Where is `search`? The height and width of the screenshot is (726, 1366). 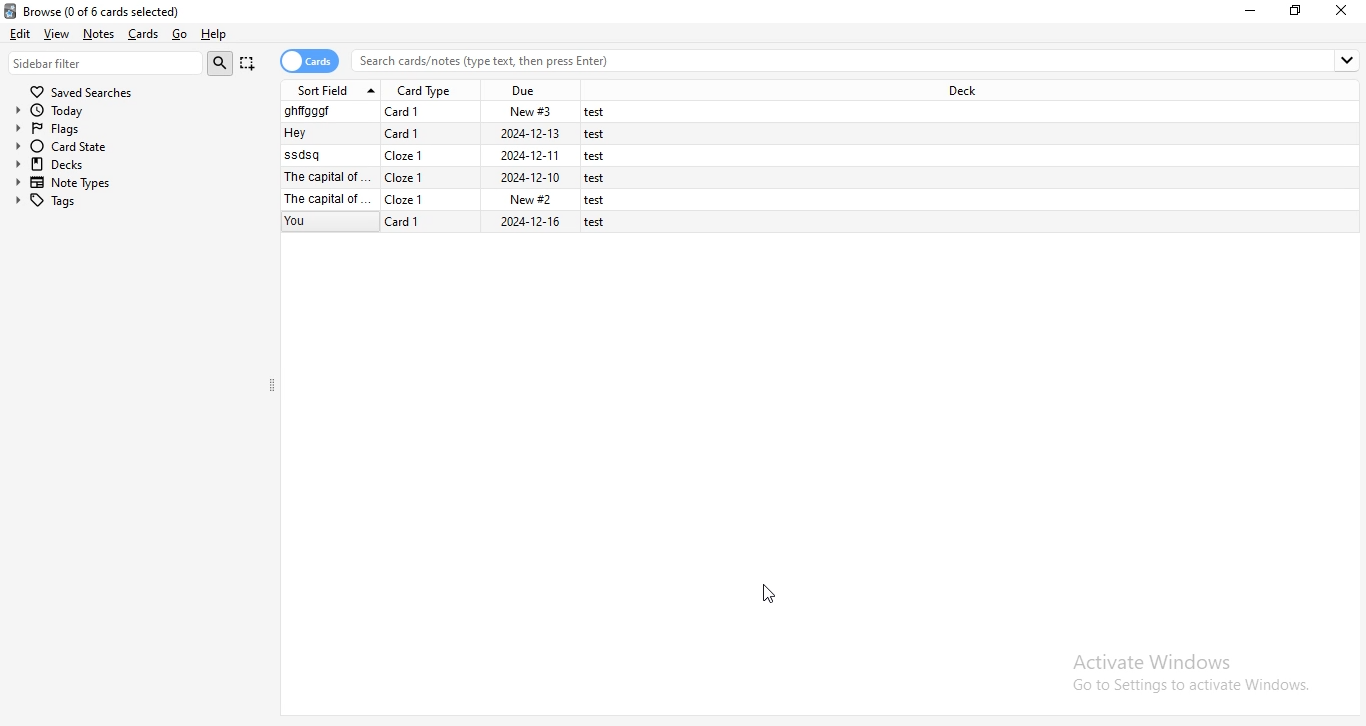 search is located at coordinates (220, 63).